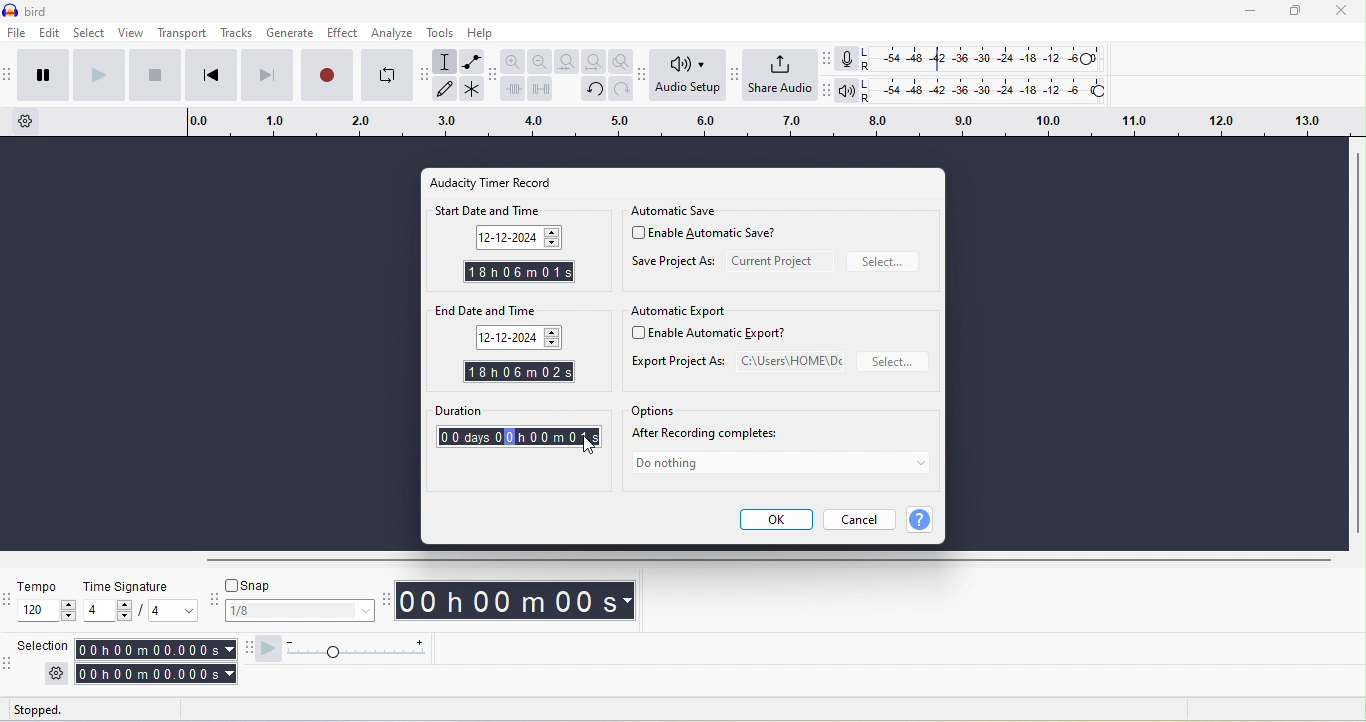 The image size is (1366, 722). What do you see at coordinates (325, 78) in the screenshot?
I see `record/record new track` at bounding box center [325, 78].